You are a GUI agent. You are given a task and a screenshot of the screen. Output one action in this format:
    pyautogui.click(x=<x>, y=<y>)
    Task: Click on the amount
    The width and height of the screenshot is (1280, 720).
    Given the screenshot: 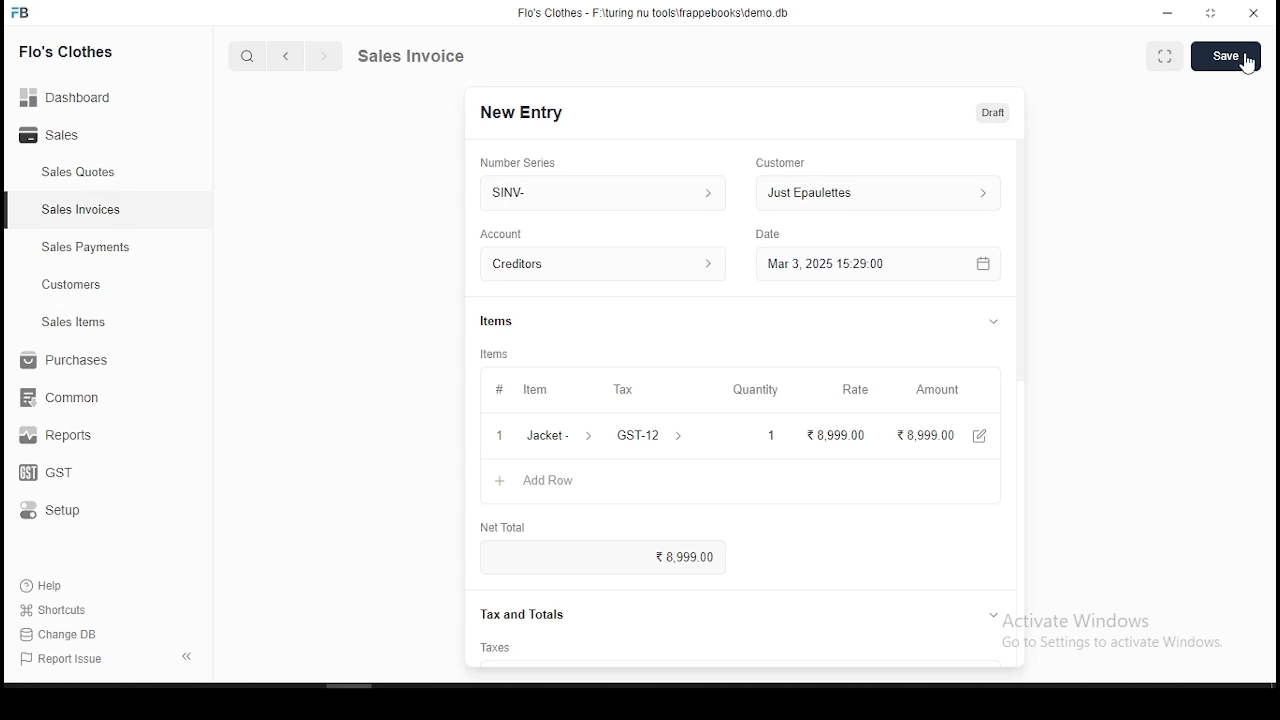 What is the action you would take?
    pyautogui.click(x=942, y=390)
    